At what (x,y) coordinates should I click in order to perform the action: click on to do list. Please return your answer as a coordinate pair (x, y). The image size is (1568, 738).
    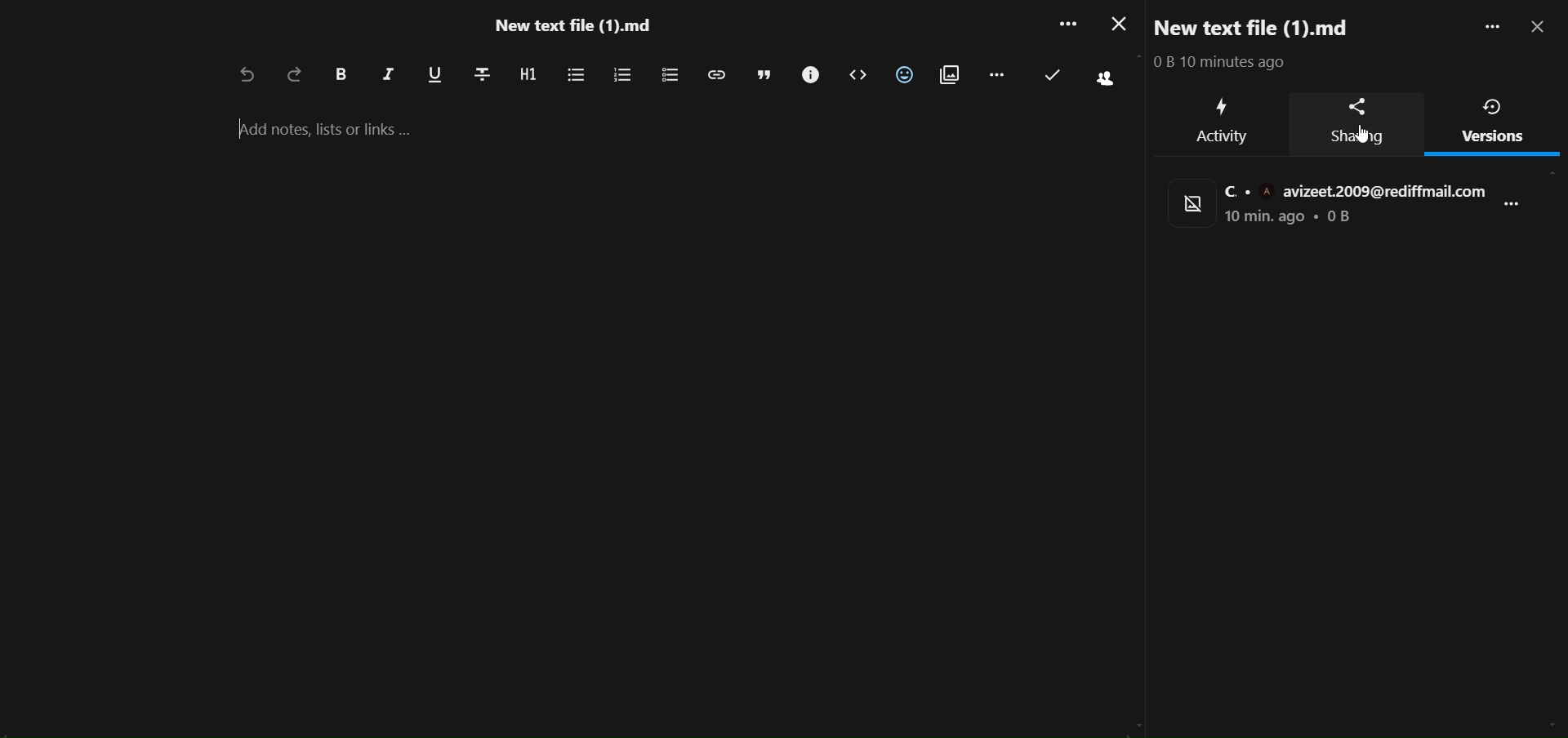
    Looking at the image, I should click on (668, 76).